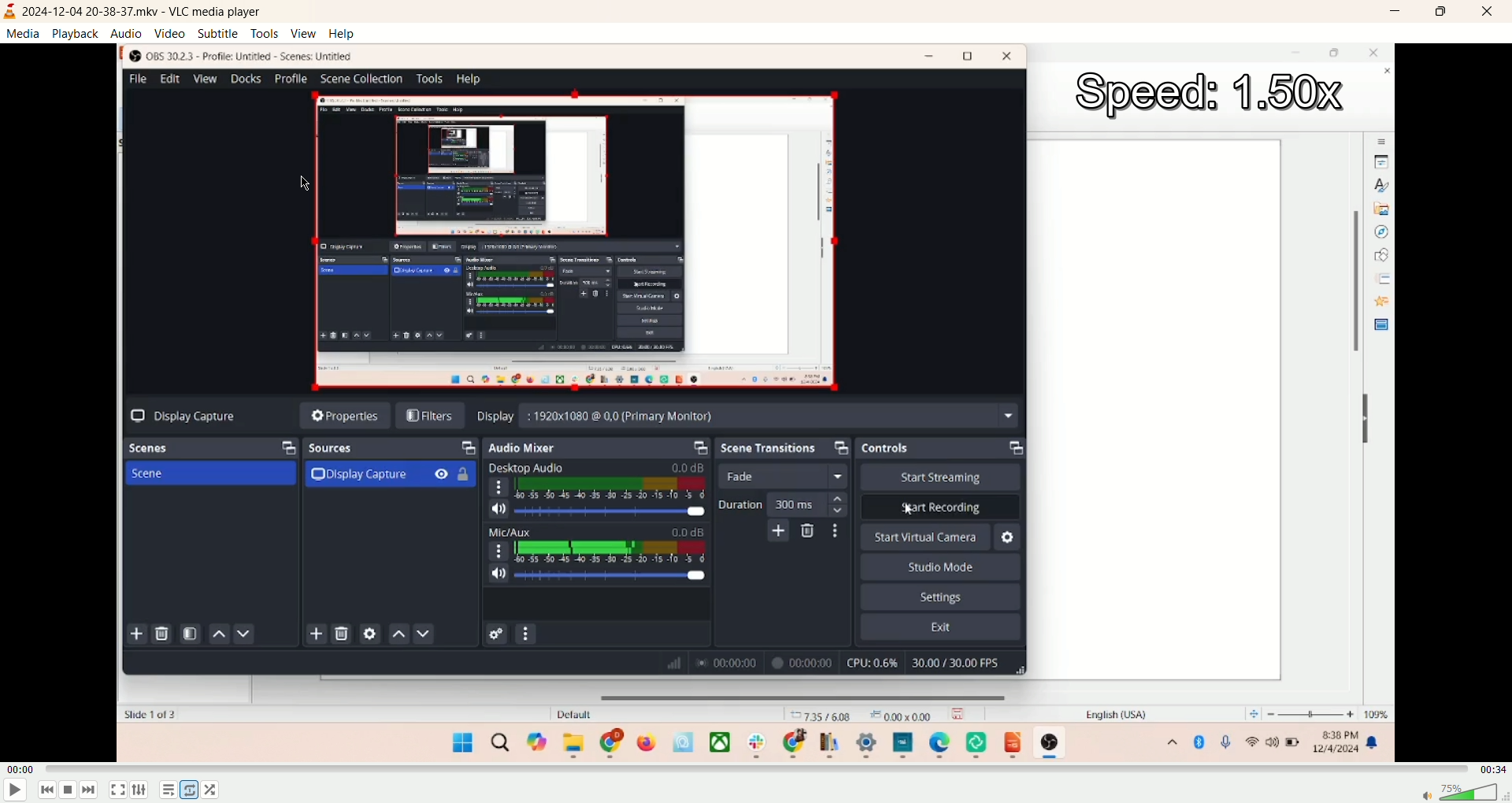 The width and height of the screenshot is (1512, 803). What do you see at coordinates (755, 450) in the screenshot?
I see `main screen` at bounding box center [755, 450].